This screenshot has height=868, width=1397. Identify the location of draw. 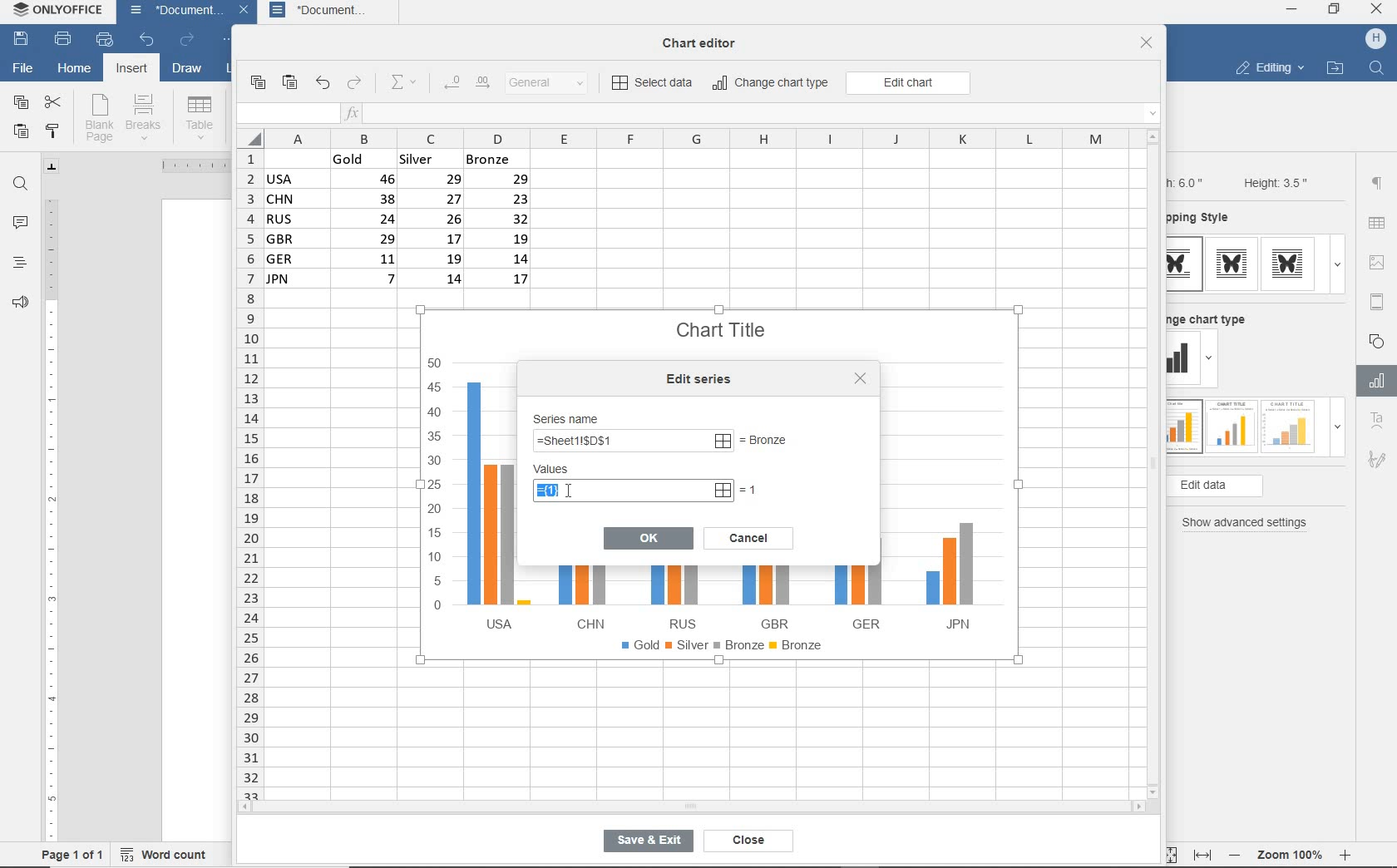
(188, 71).